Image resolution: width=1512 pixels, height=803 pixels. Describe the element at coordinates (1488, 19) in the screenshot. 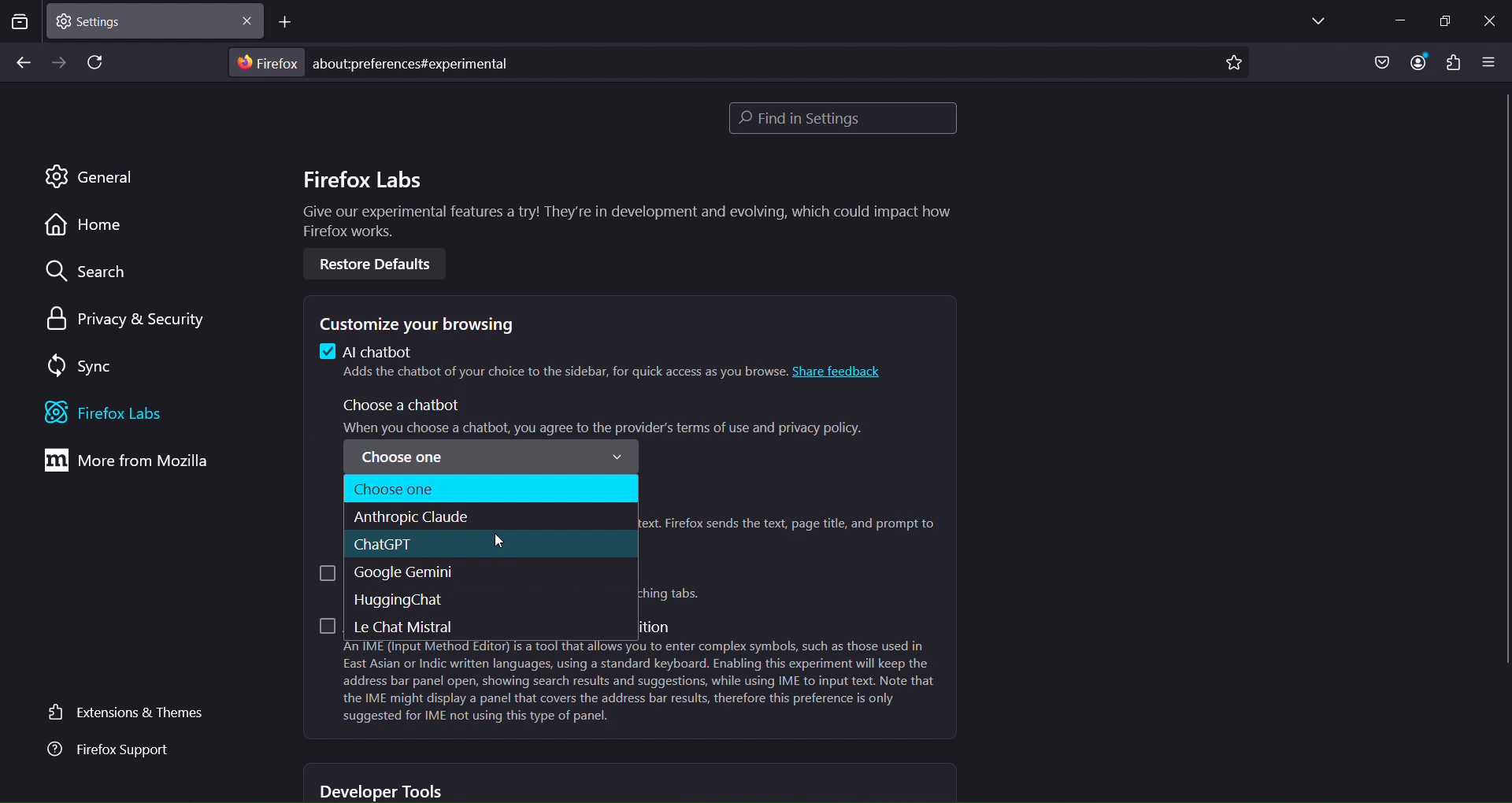

I see `close` at that location.